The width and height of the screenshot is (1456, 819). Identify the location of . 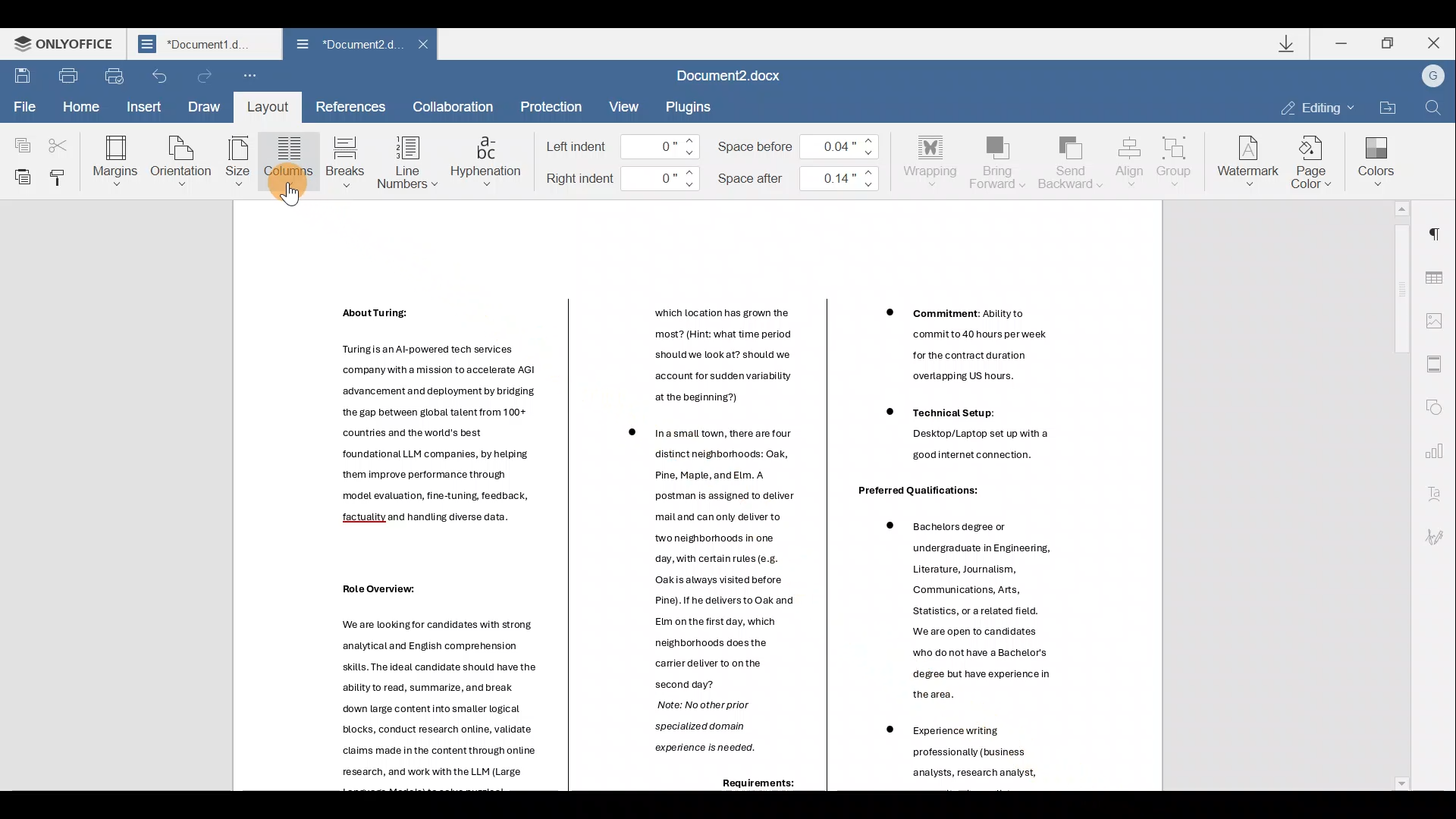
(364, 310).